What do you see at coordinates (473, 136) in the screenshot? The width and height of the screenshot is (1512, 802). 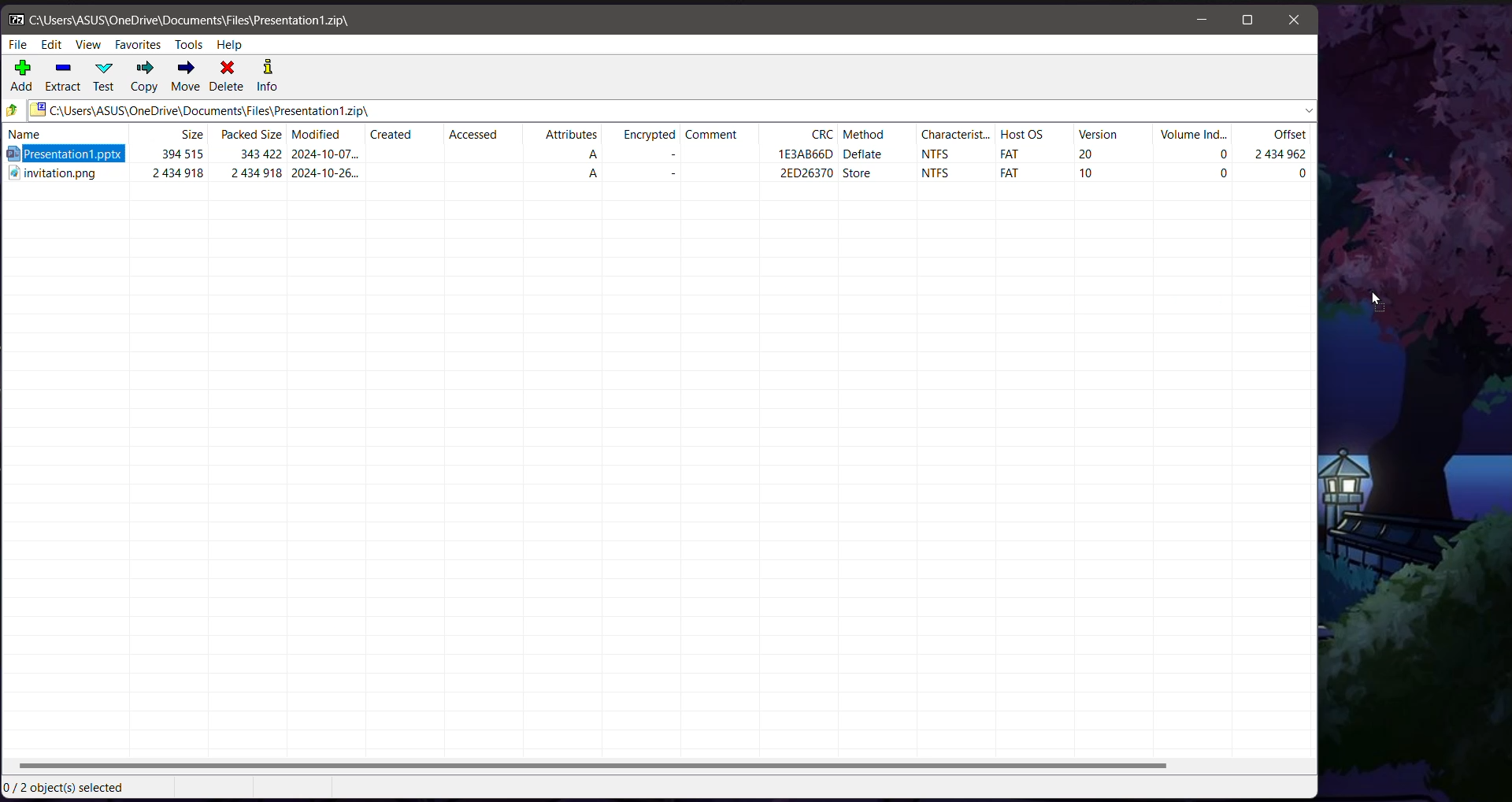 I see `Accessed` at bounding box center [473, 136].